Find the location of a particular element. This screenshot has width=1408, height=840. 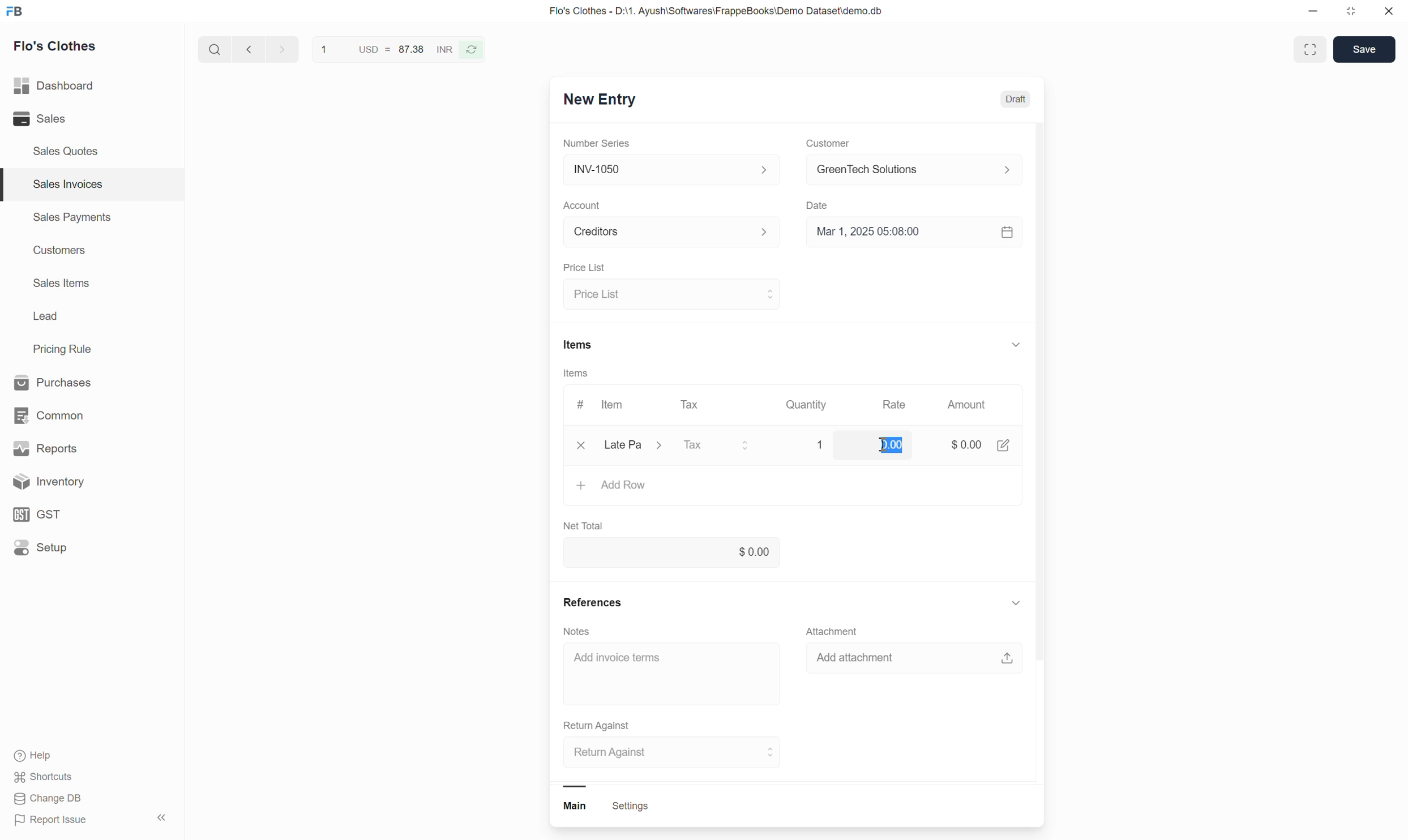

full screen is located at coordinates (1312, 49).